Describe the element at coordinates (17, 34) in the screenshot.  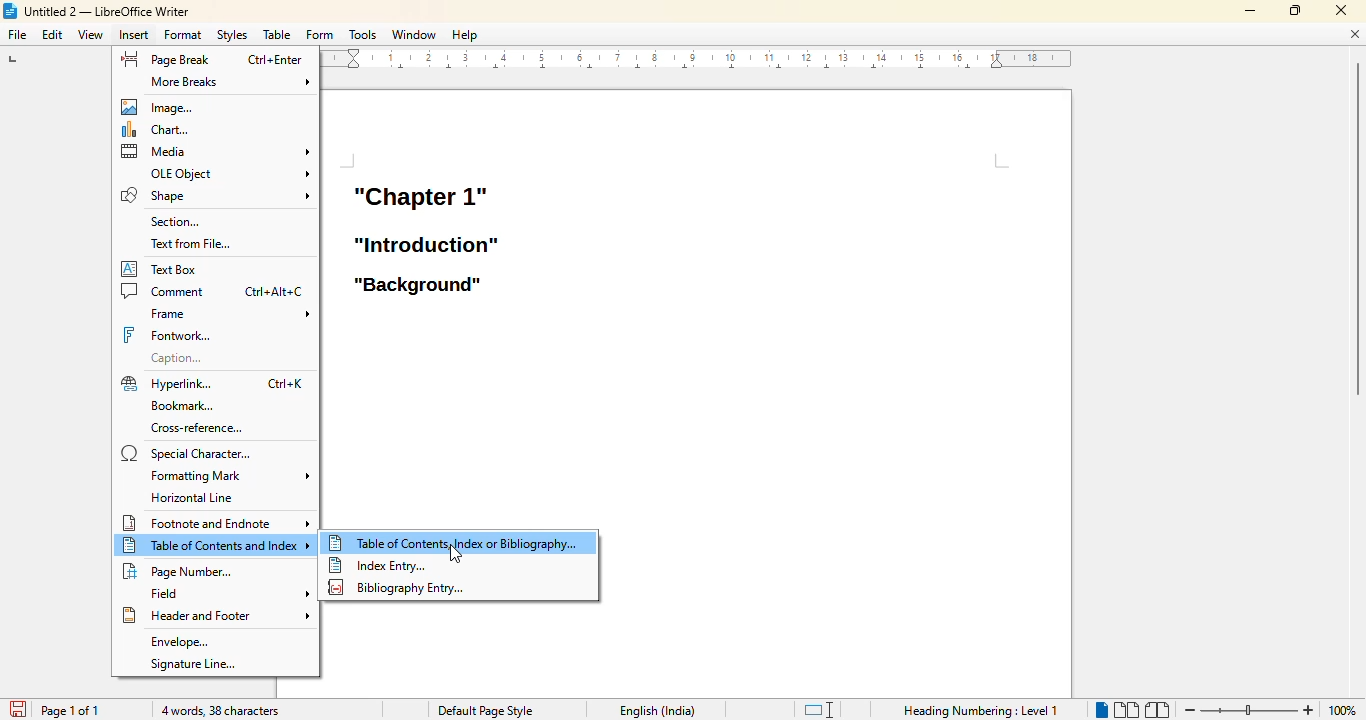
I see `file` at that location.